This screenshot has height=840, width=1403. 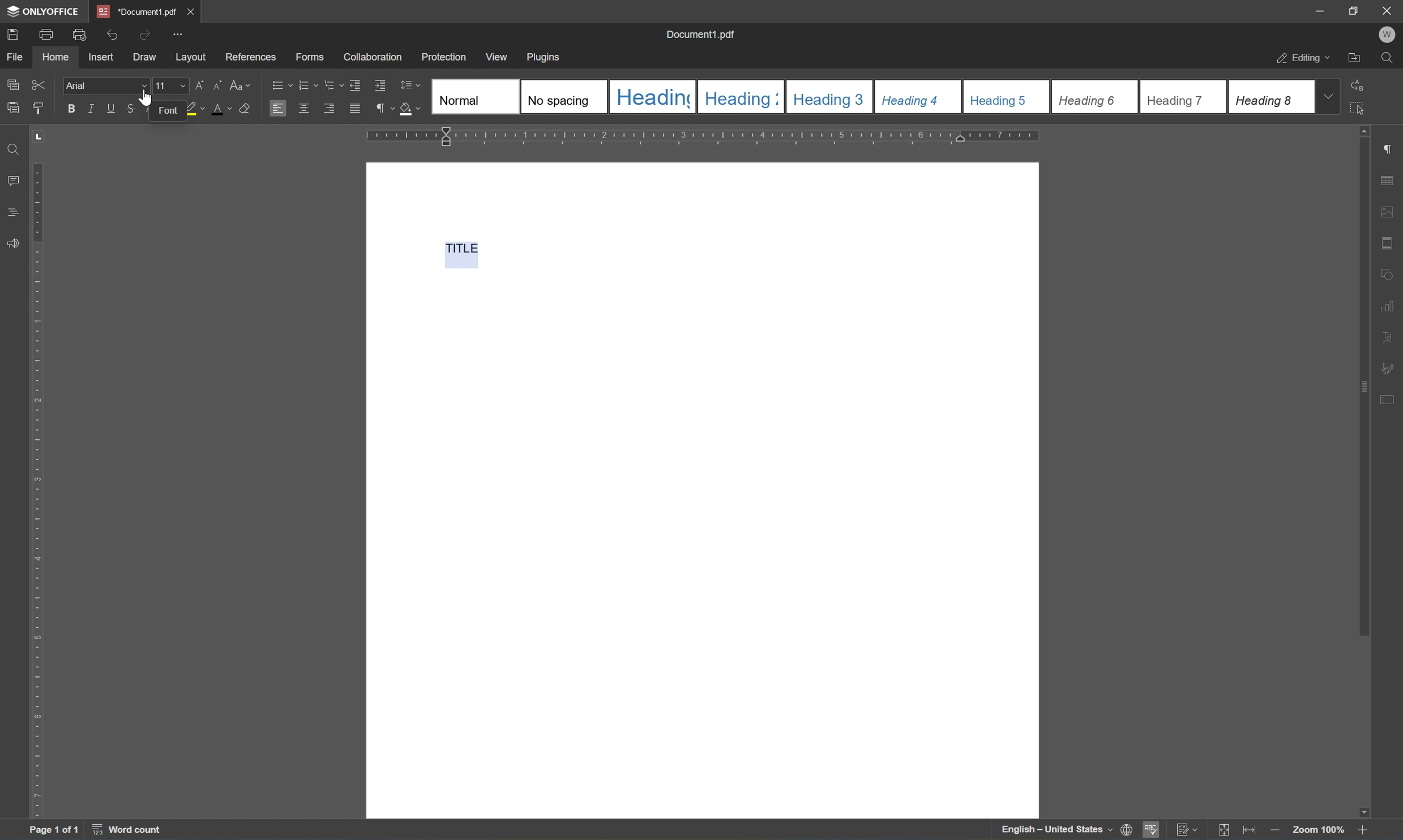 What do you see at coordinates (332, 84) in the screenshot?
I see `Multilevel list` at bounding box center [332, 84].